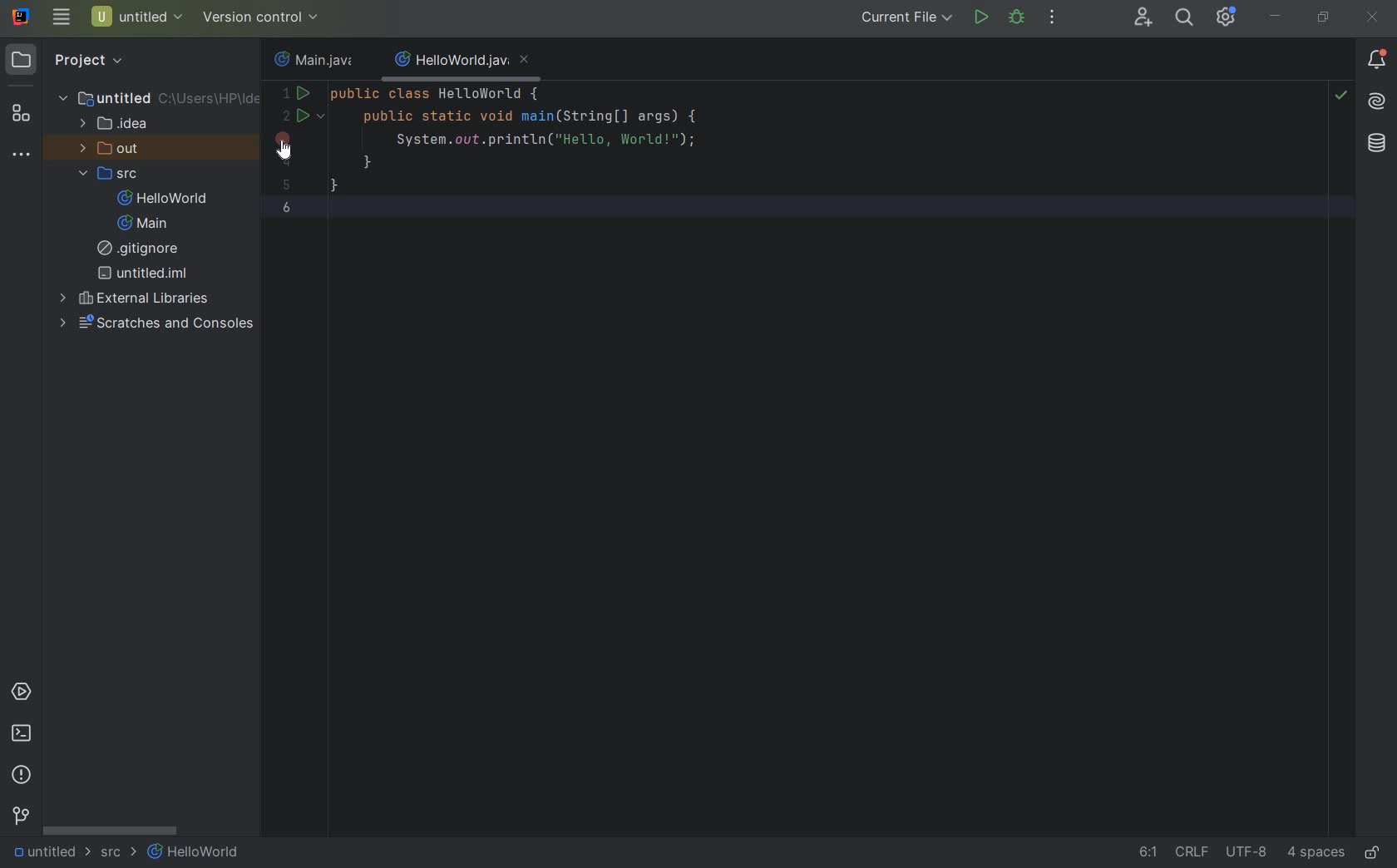  Describe the element at coordinates (1374, 145) in the screenshot. I see `database` at that location.